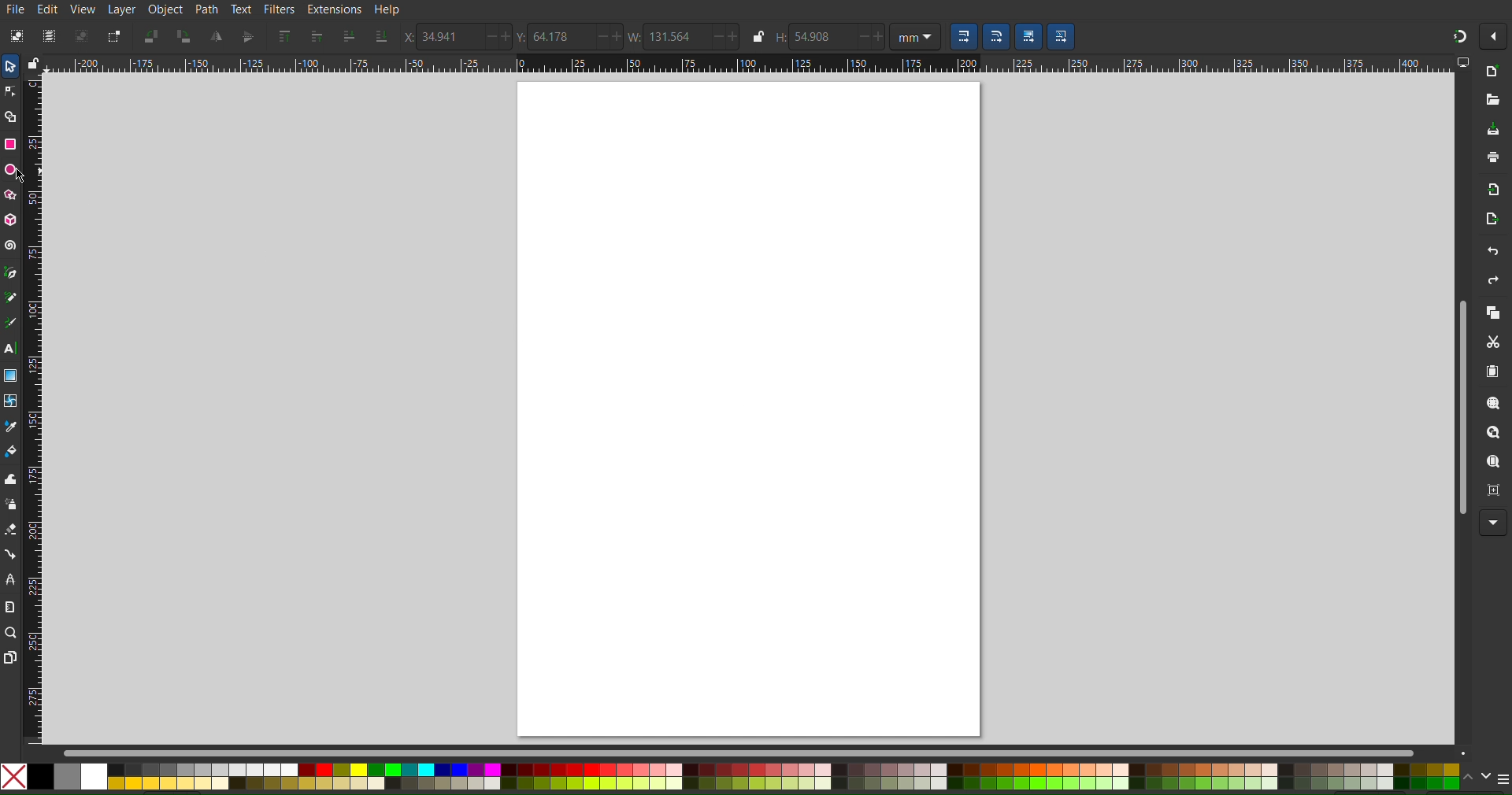 Image resolution: width=1512 pixels, height=795 pixels. What do you see at coordinates (165, 10) in the screenshot?
I see `Object` at bounding box center [165, 10].